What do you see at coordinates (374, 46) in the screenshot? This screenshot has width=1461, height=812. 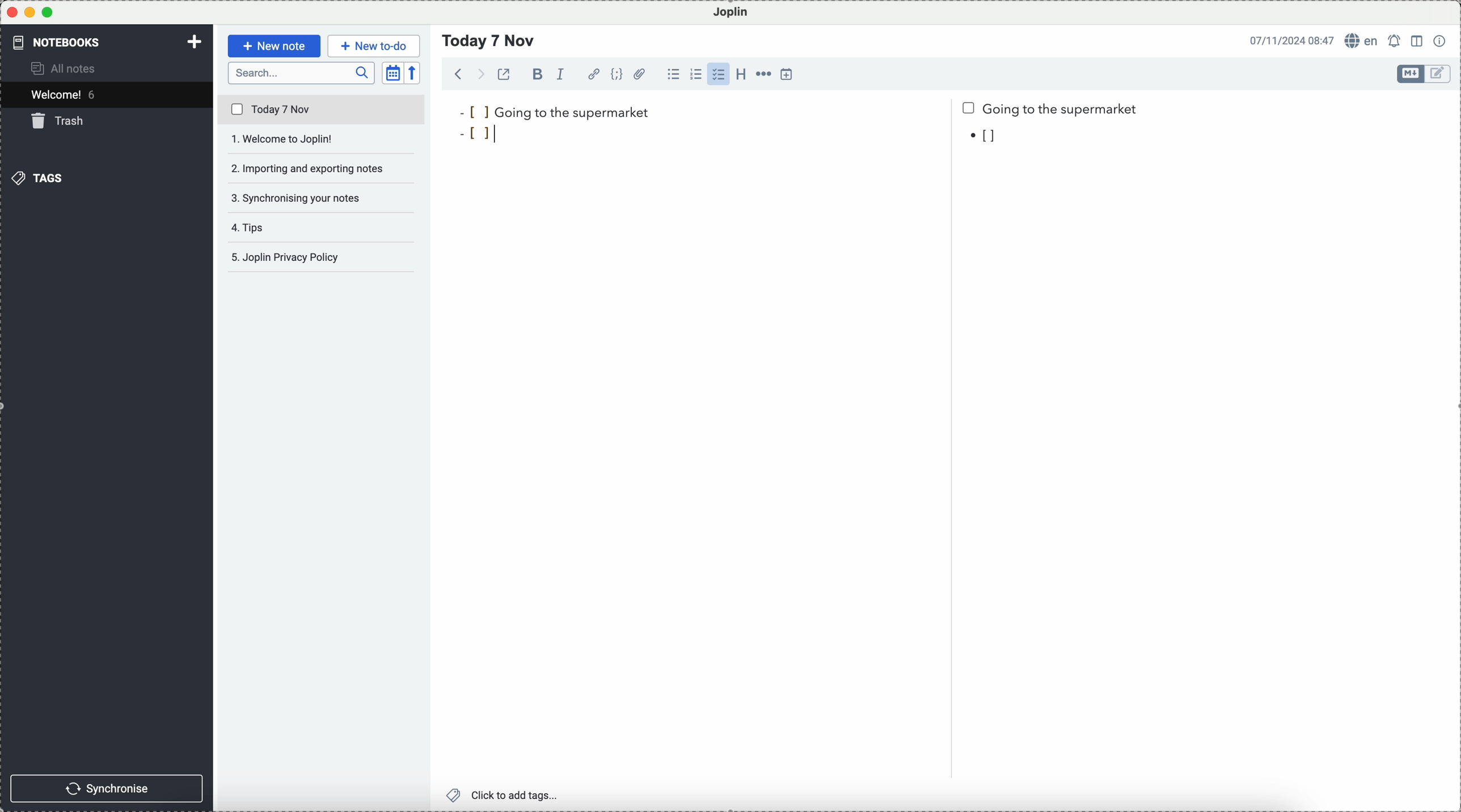 I see `new to-do button` at bounding box center [374, 46].